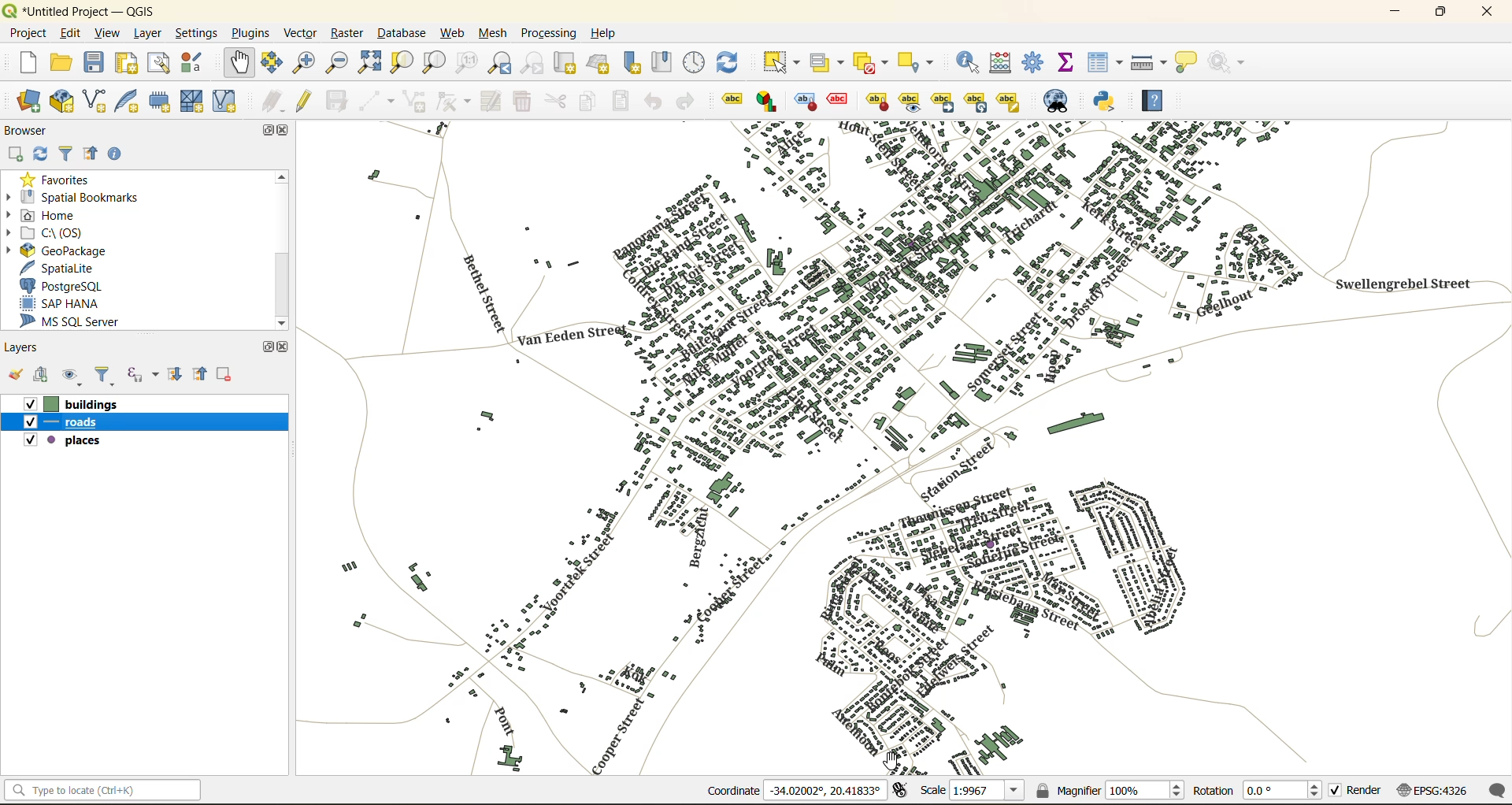 This screenshot has width=1512, height=805. What do you see at coordinates (1008, 102) in the screenshot?
I see `change label properties` at bounding box center [1008, 102].